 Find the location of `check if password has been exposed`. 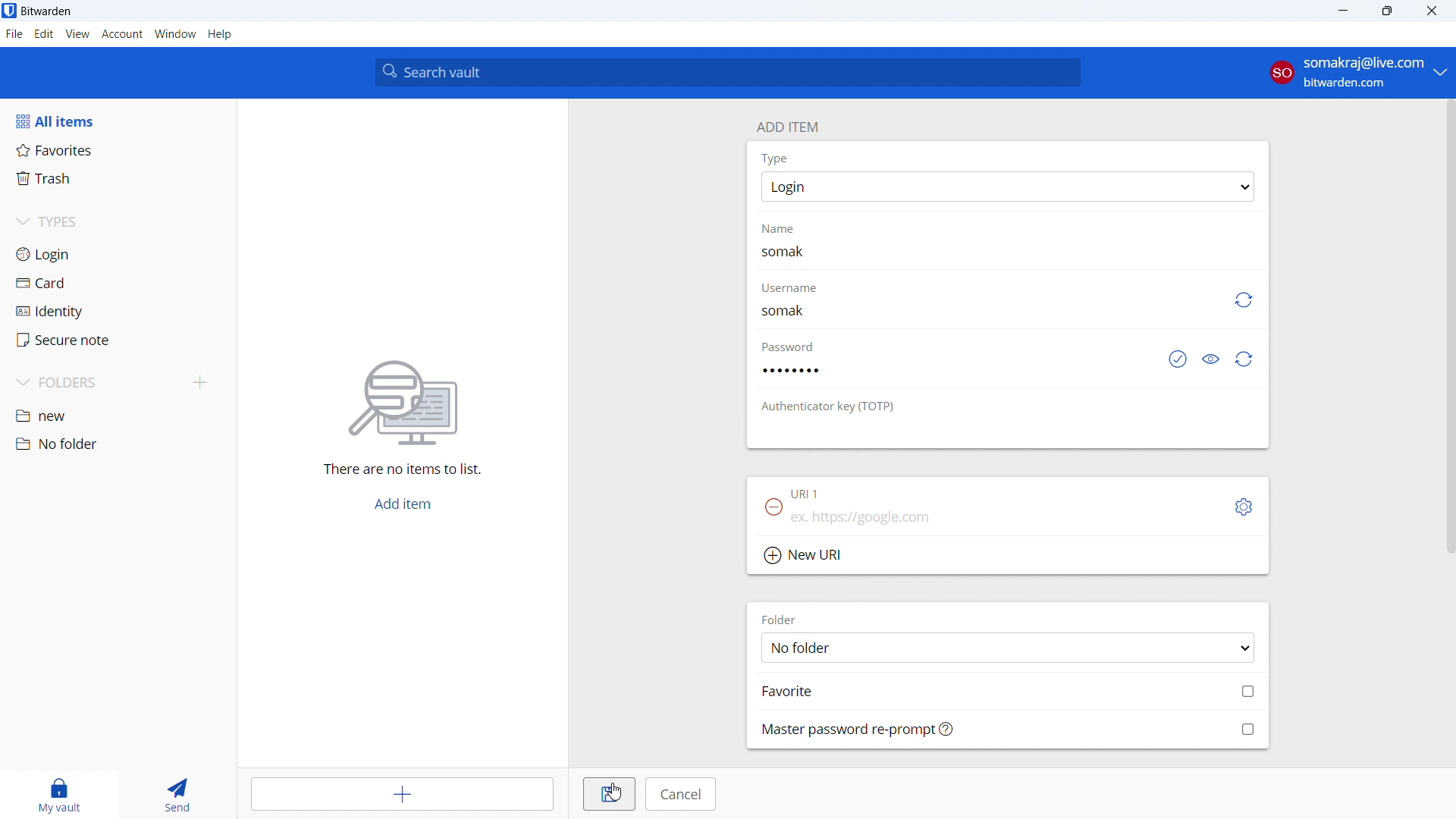

check if password has been exposed is located at coordinates (1176, 360).